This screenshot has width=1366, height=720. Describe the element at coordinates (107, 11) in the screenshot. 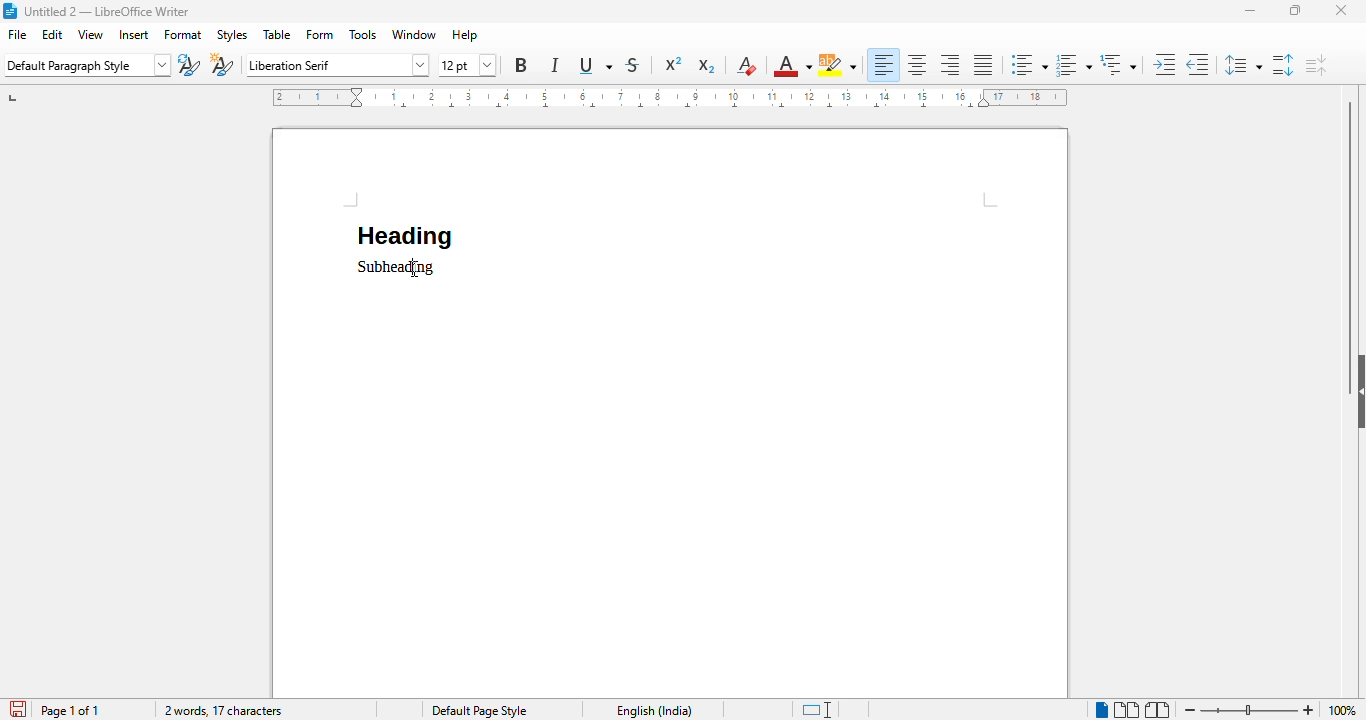

I see `title` at that location.